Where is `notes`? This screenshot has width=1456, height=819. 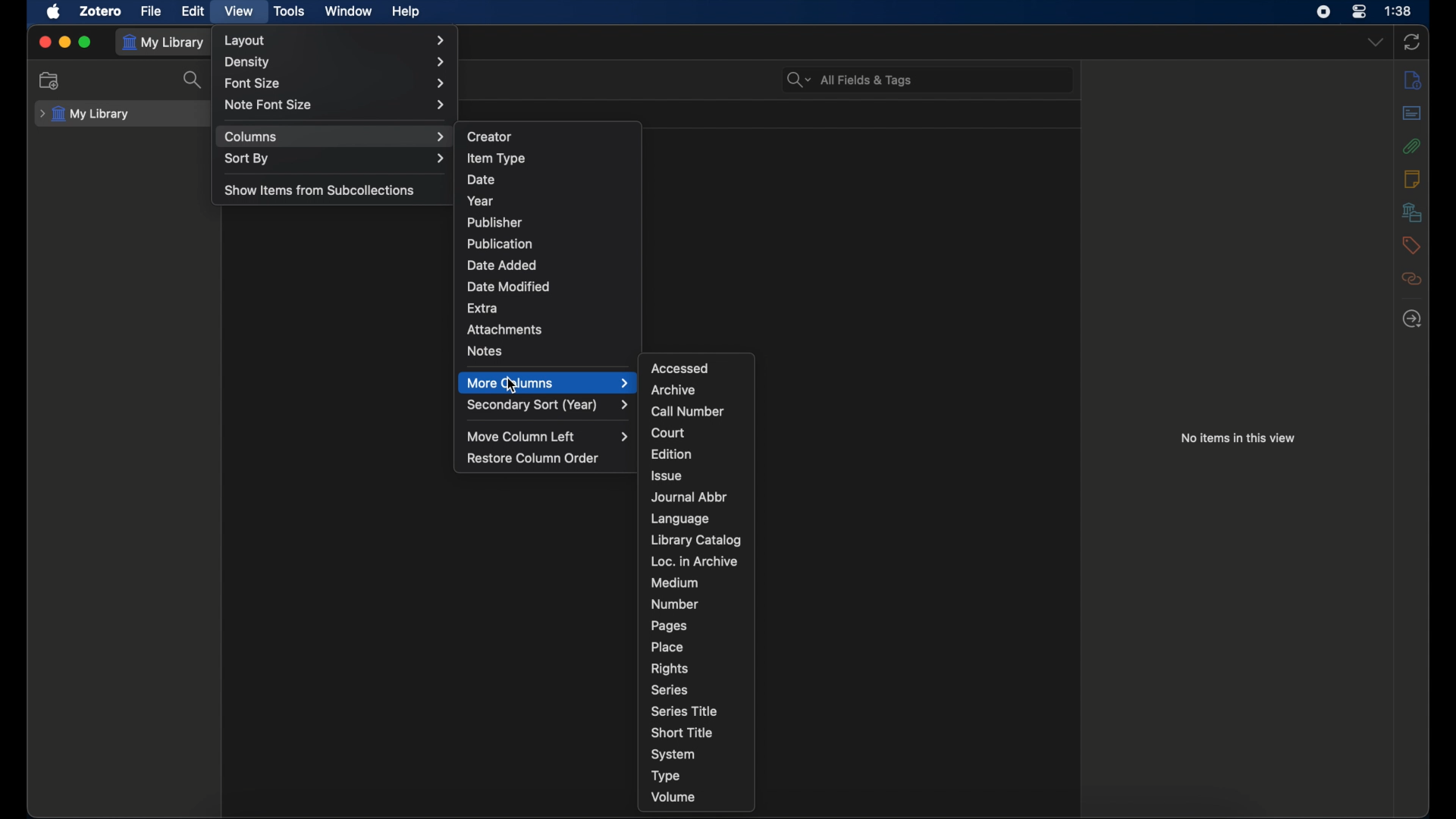 notes is located at coordinates (485, 350).